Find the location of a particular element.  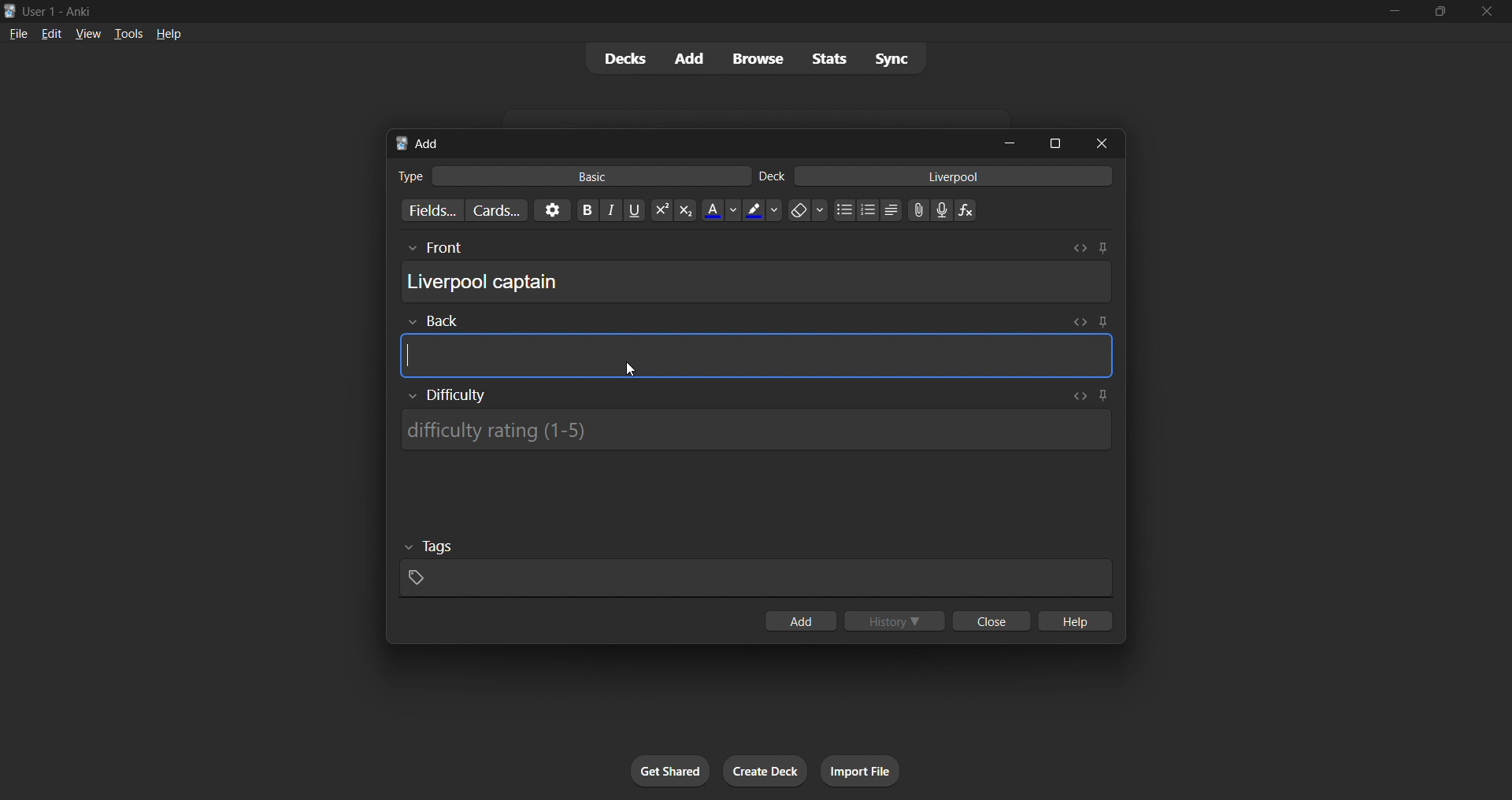

add is located at coordinates (691, 59).